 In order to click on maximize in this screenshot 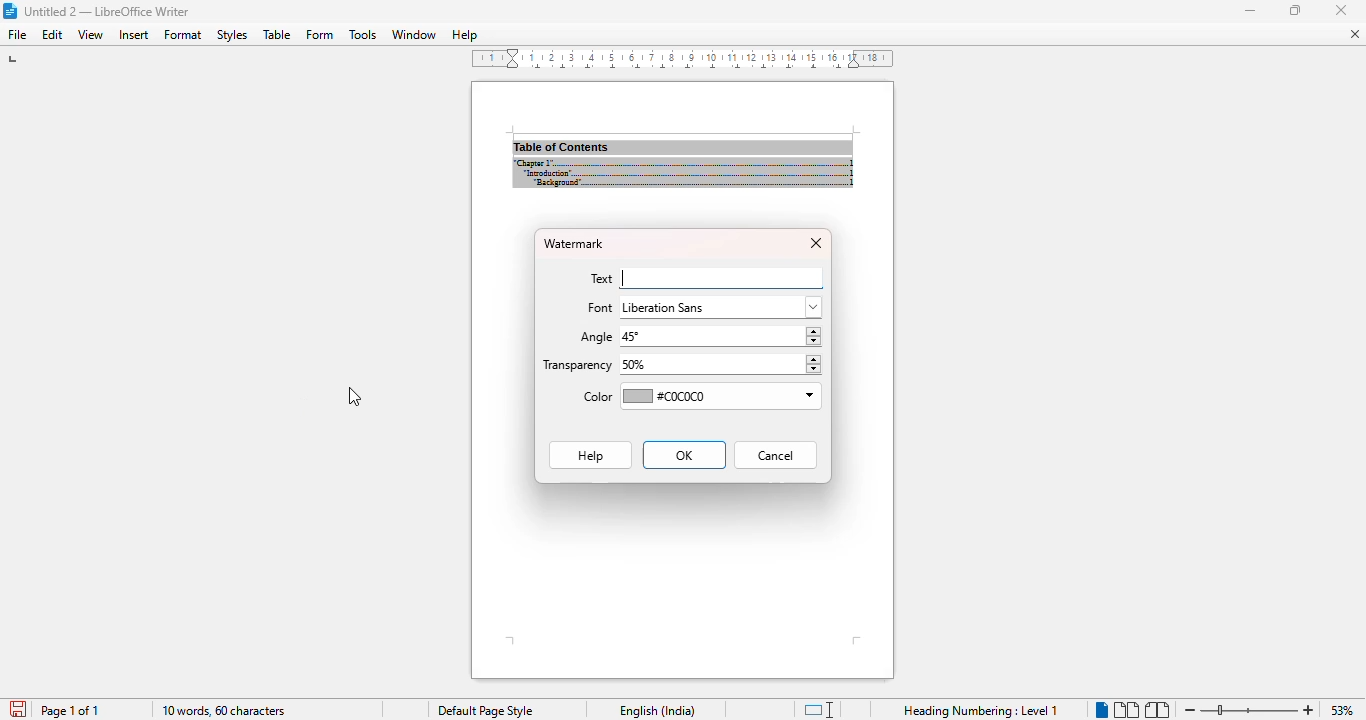, I will do `click(1297, 11)`.